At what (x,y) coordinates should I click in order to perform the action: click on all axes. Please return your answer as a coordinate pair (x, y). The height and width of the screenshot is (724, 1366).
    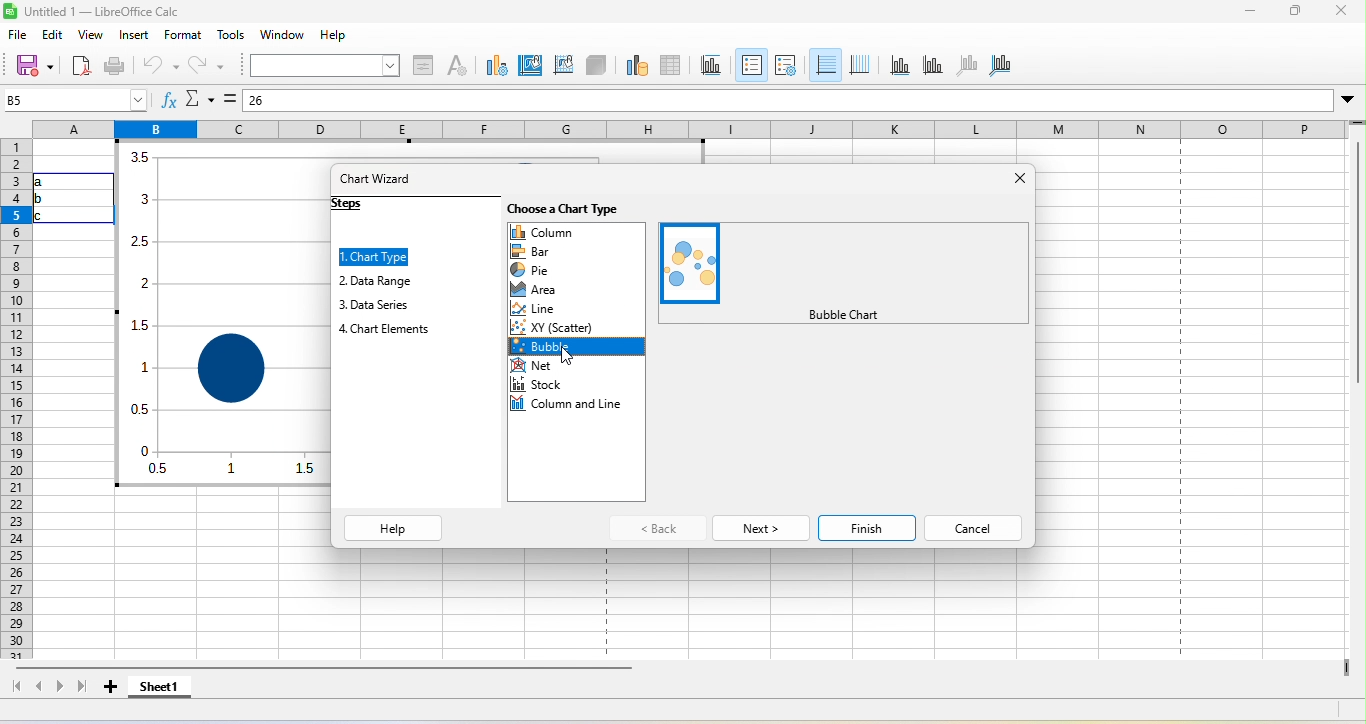
    Looking at the image, I should click on (1001, 65).